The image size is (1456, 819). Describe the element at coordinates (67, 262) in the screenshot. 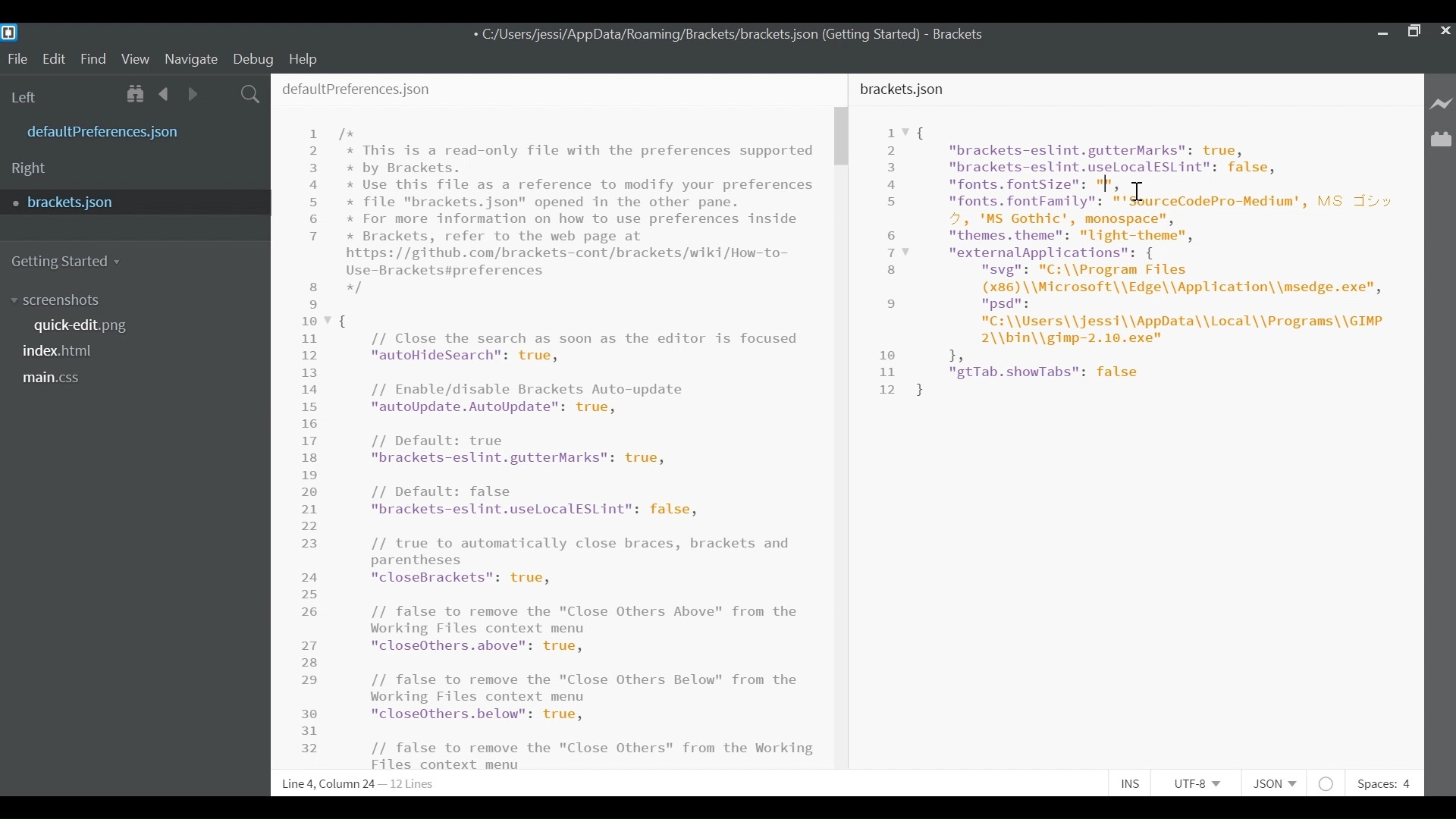

I see `Getting Started` at that location.